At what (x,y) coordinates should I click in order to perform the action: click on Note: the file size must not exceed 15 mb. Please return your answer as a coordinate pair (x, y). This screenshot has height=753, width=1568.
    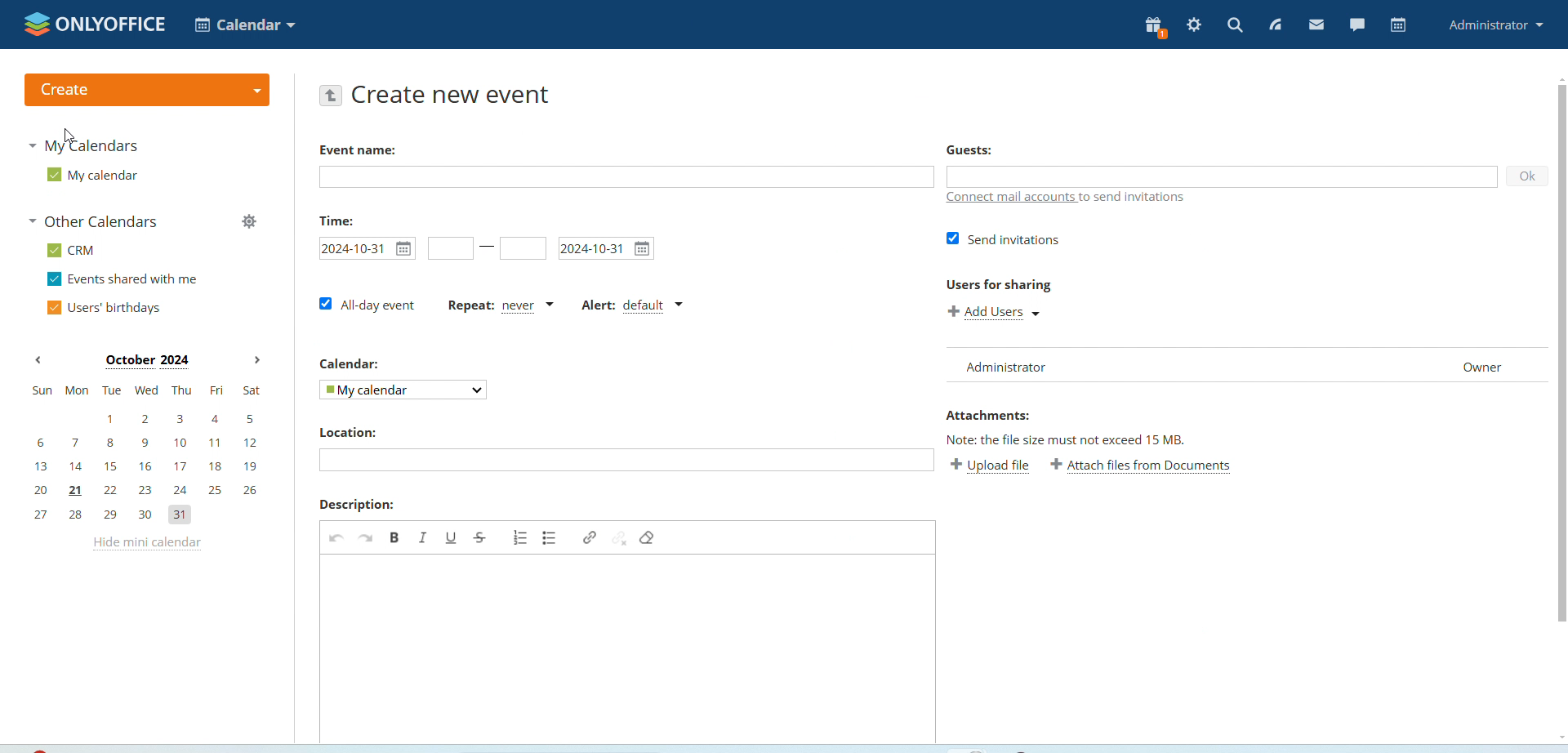
    Looking at the image, I should click on (1067, 439).